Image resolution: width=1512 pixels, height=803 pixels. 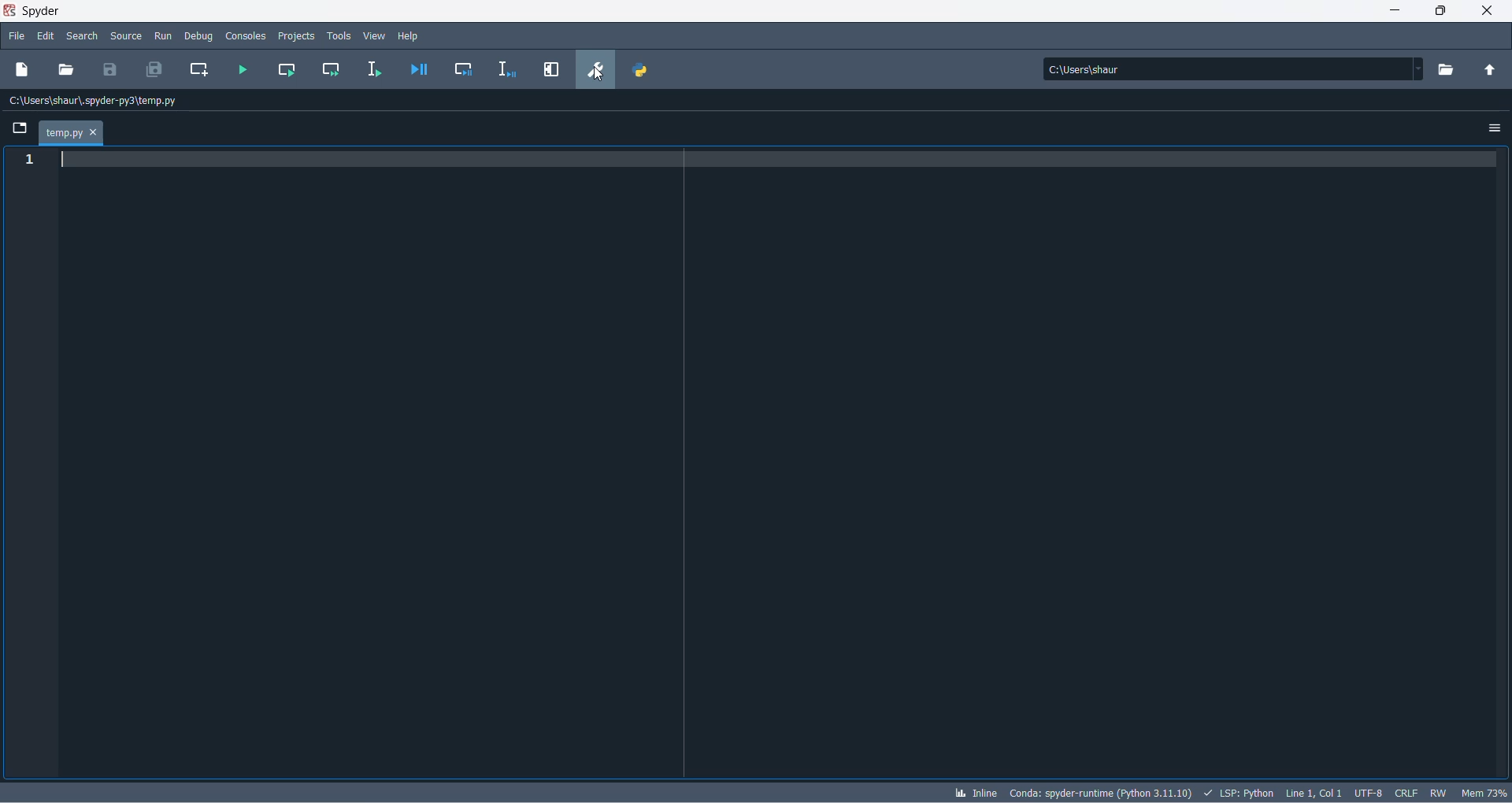 What do you see at coordinates (1395, 16) in the screenshot?
I see `minimize` at bounding box center [1395, 16].